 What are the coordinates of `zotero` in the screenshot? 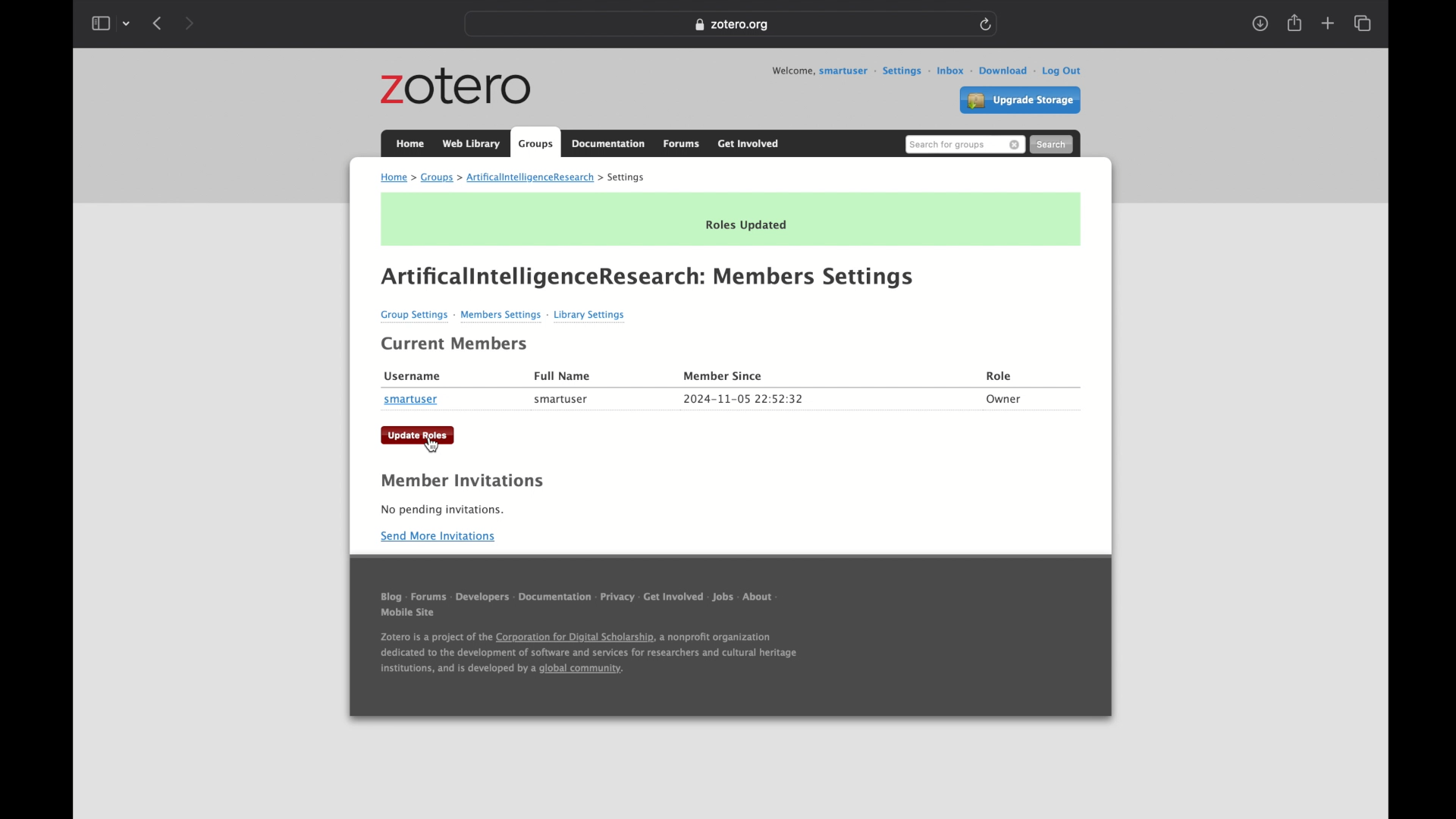 It's located at (457, 87).